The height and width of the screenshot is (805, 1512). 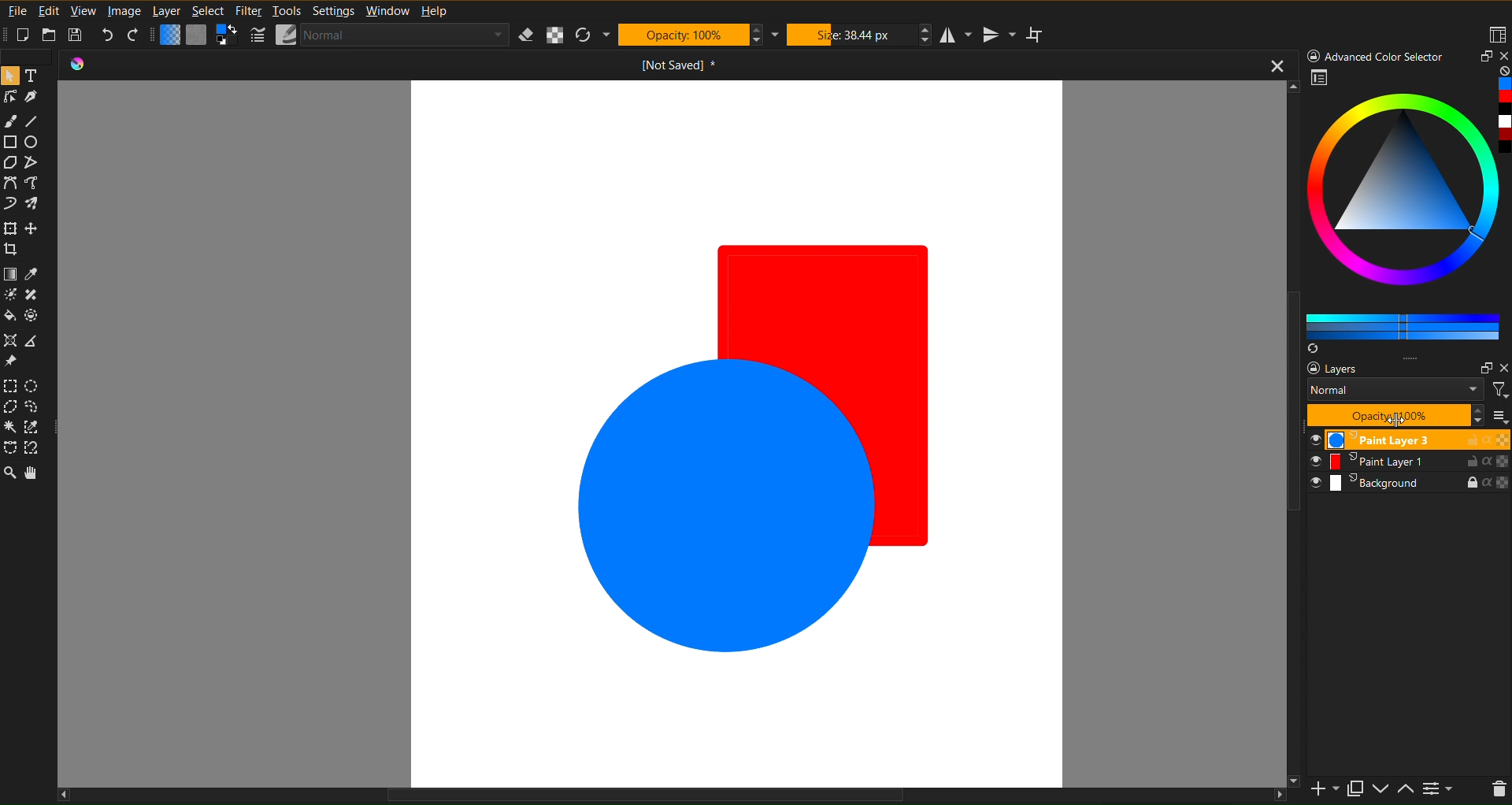 What do you see at coordinates (1288, 383) in the screenshot?
I see `Vertical Scrol bar` at bounding box center [1288, 383].